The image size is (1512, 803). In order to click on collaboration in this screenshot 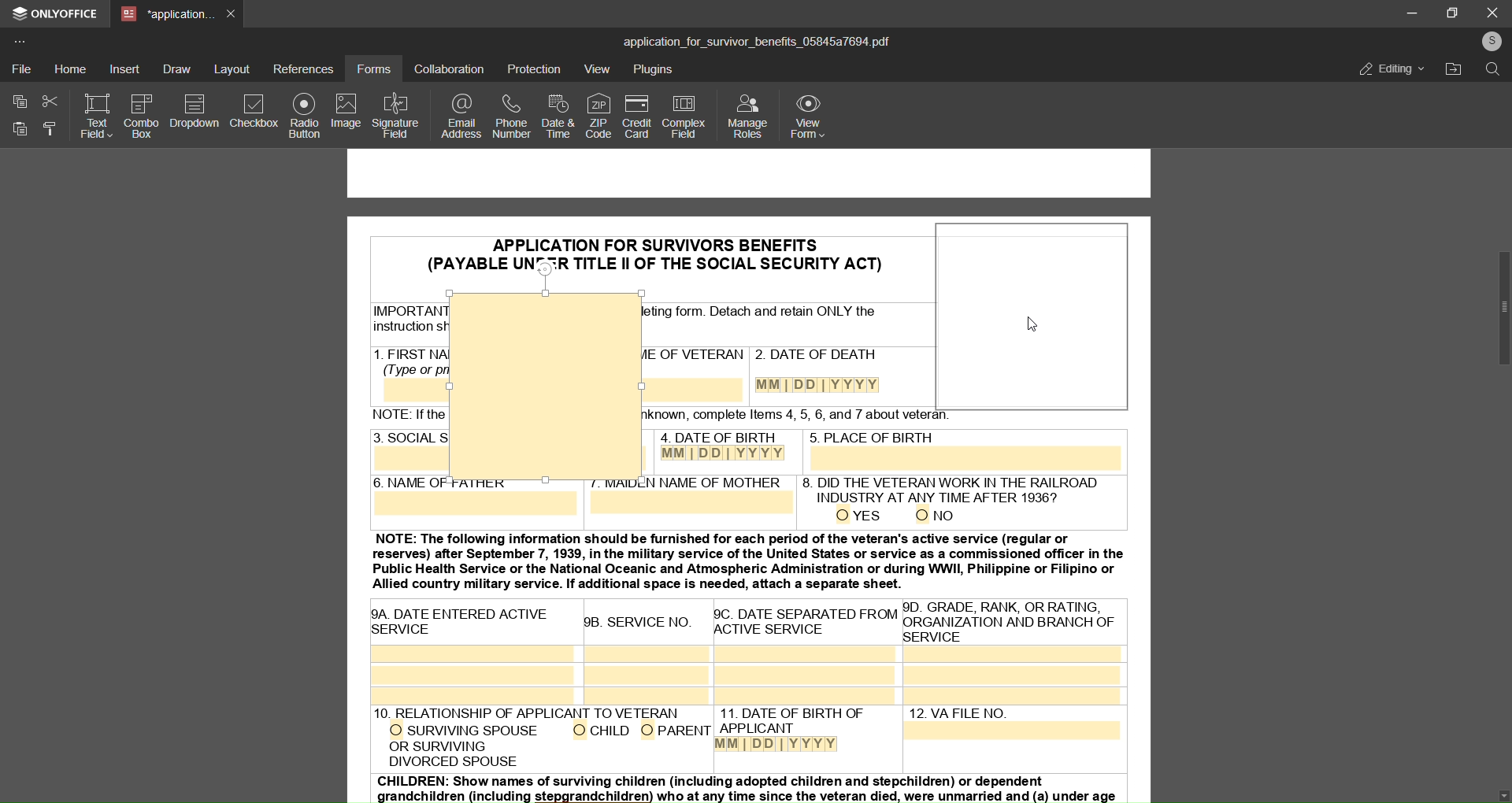, I will do `click(448, 69)`.